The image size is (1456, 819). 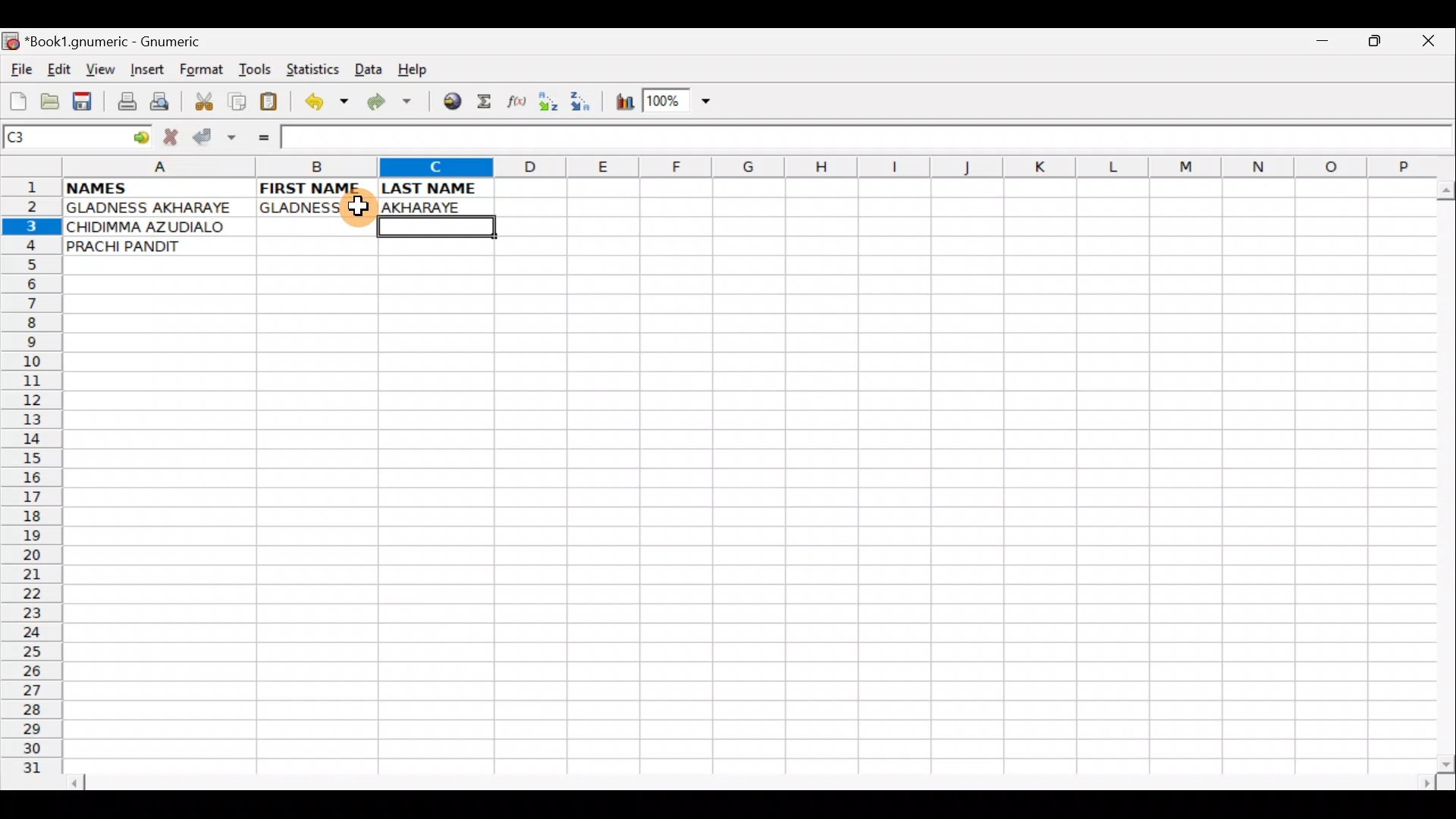 I want to click on Sort Descending order, so click(x=585, y=105).